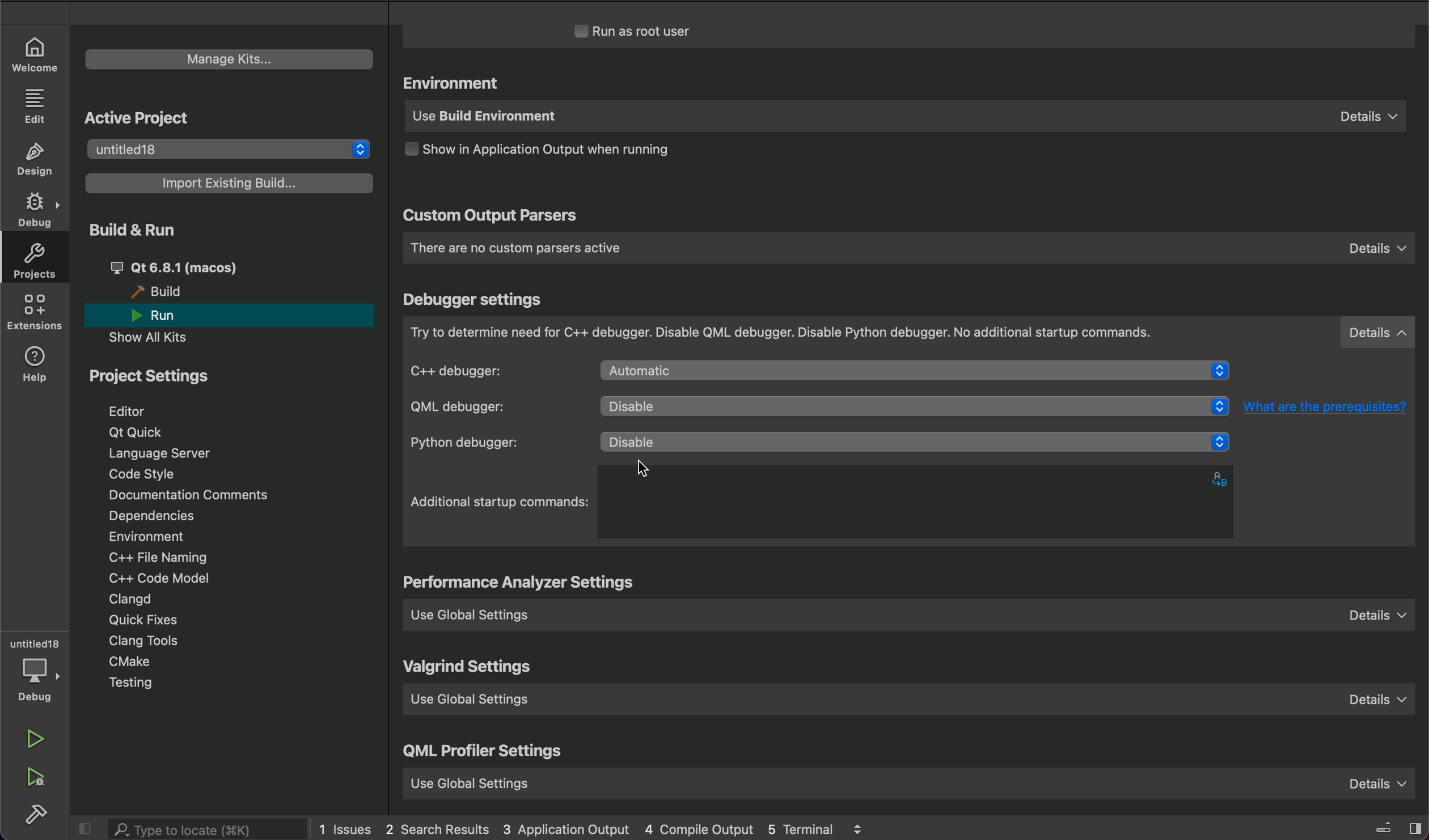 The width and height of the screenshot is (1429, 840). I want to click on tools, so click(161, 642).